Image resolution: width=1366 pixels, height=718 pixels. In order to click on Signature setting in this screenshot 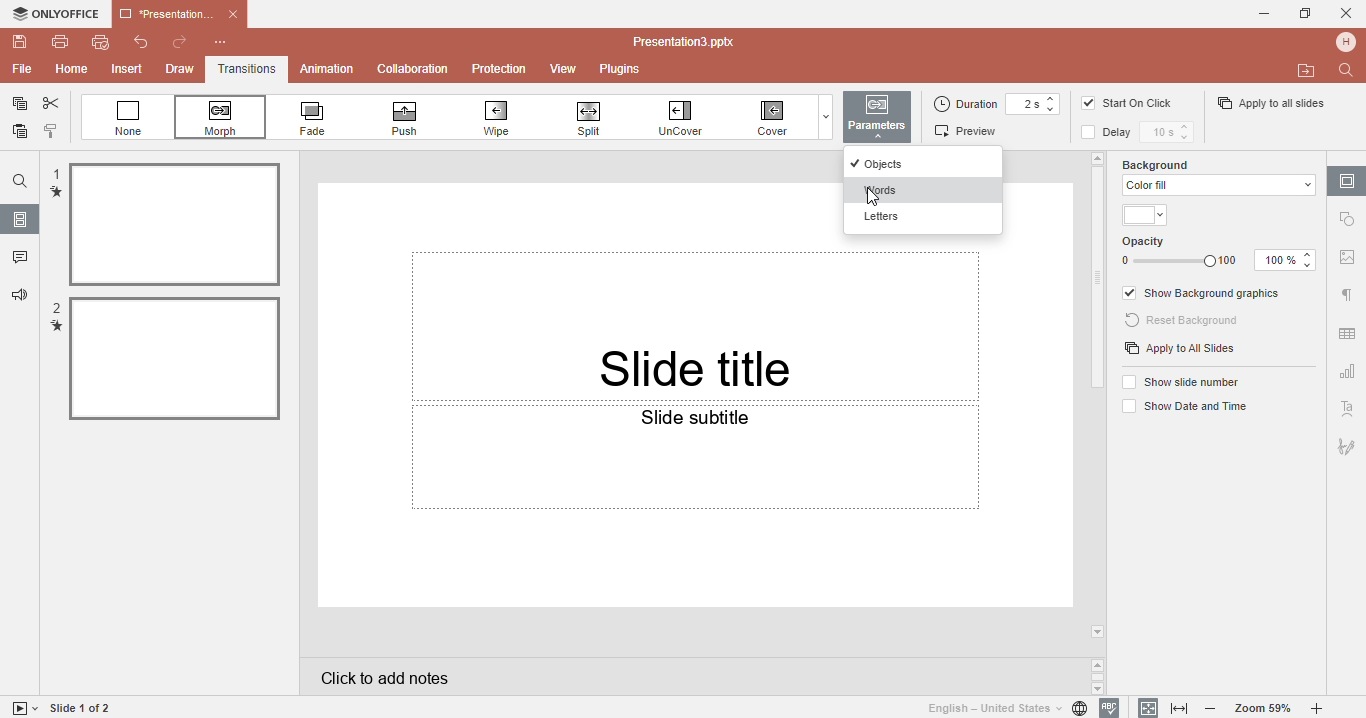, I will do `click(1346, 443)`.